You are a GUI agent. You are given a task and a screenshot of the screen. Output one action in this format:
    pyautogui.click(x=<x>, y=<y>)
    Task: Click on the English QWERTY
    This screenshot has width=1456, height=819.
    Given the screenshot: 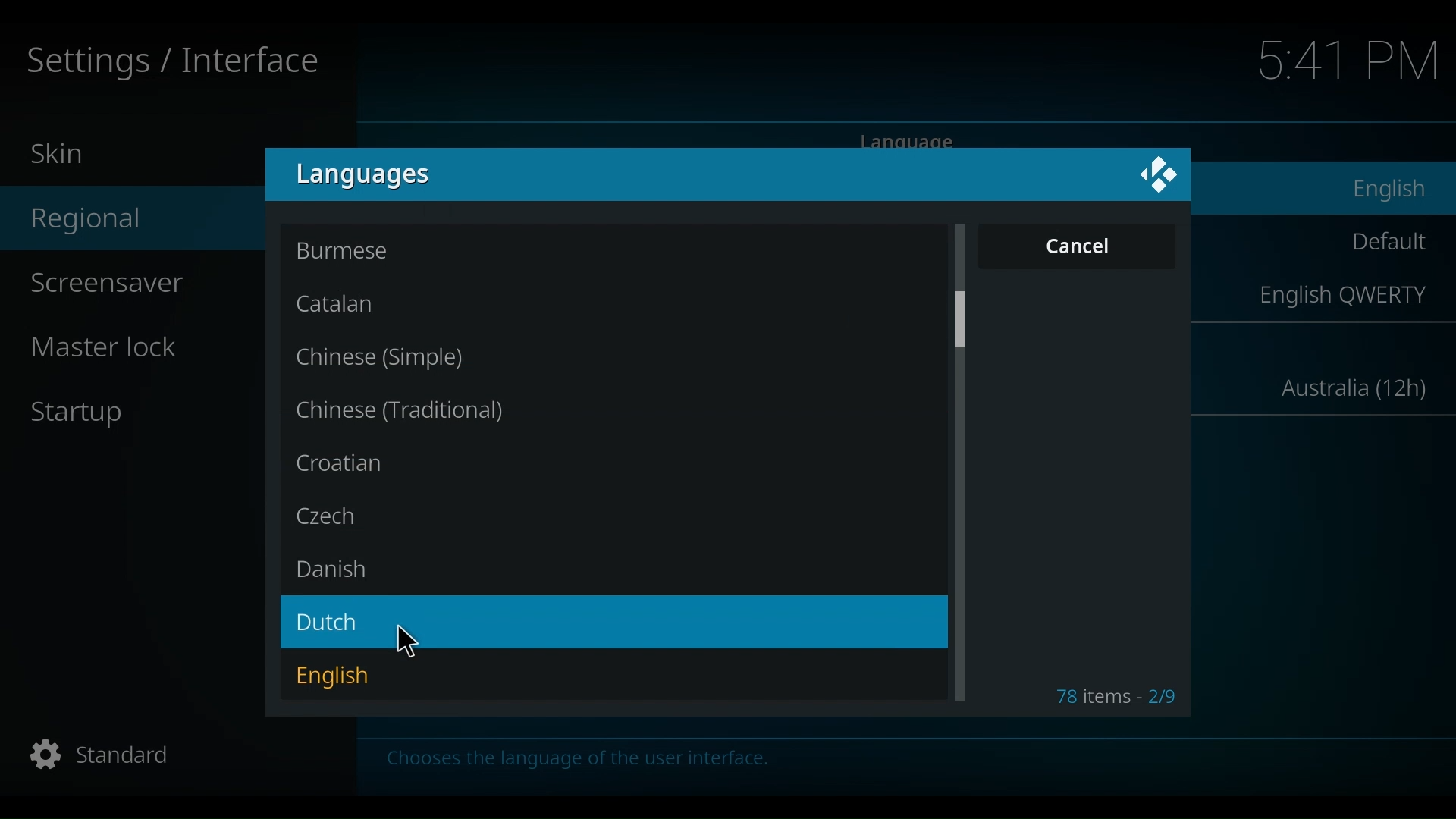 What is the action you would take?
    pyautogui.click(x=1341, y=297)
    